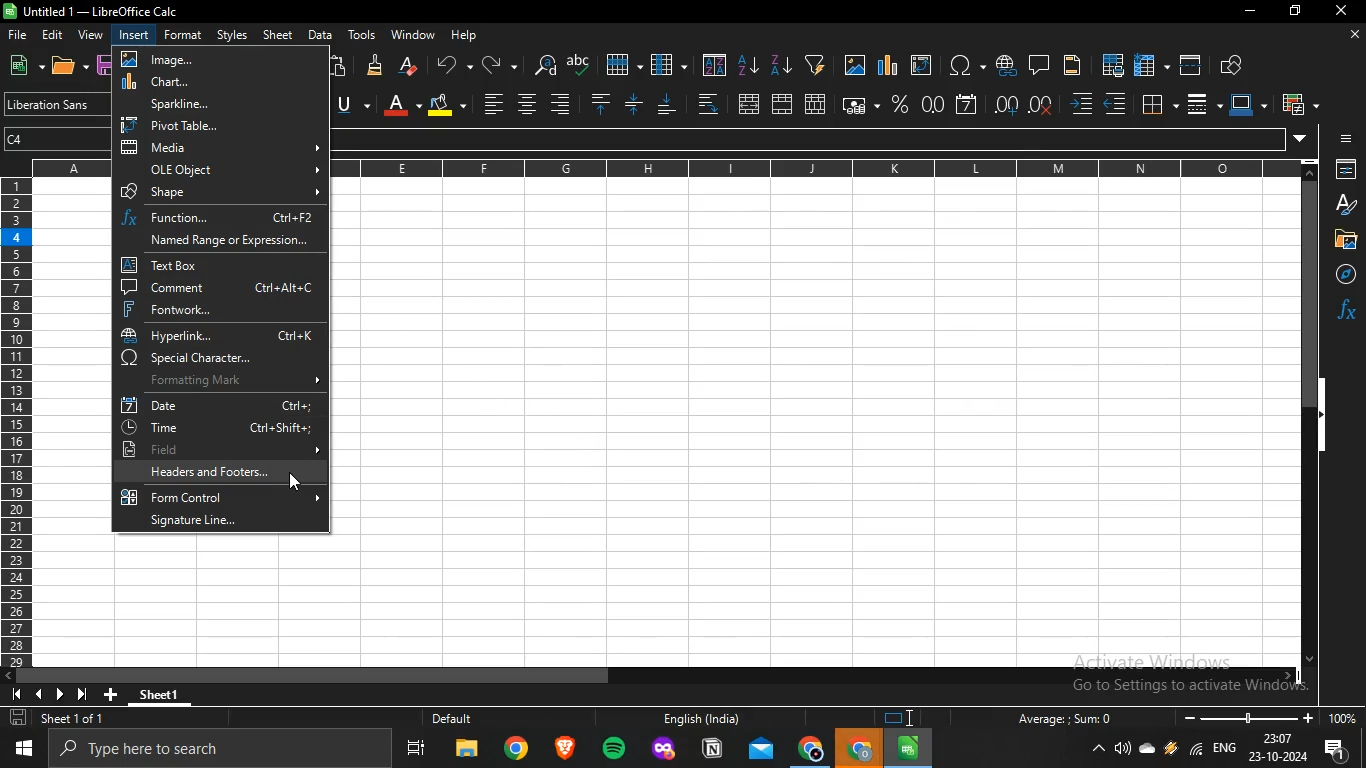 The image size is (1366, 768). Describe the element at coordinates (20, 64) in the screenshot. I see `new ` at that location.